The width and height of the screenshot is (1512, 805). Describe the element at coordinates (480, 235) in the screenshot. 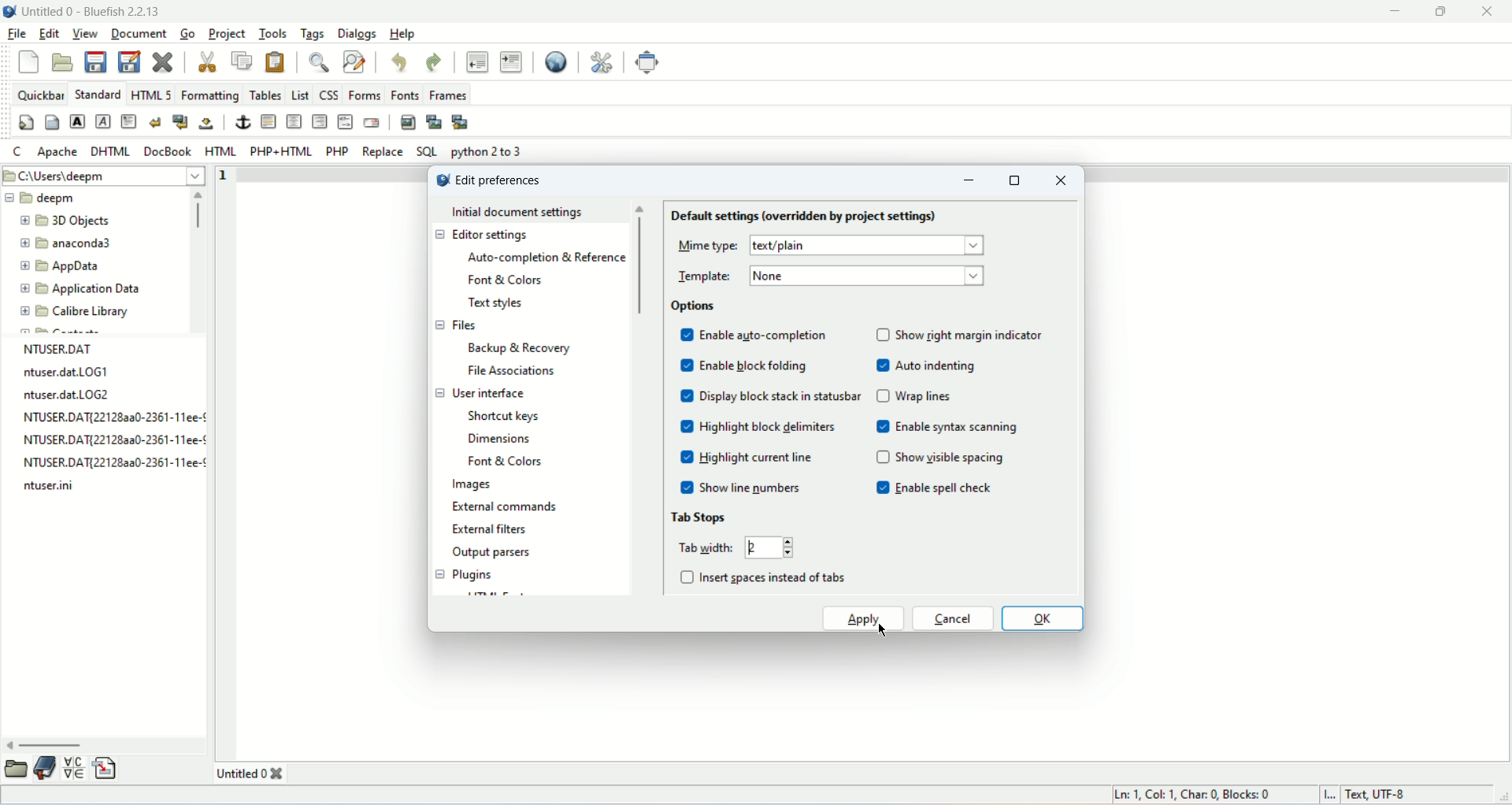

I see `editor settings` at that location.